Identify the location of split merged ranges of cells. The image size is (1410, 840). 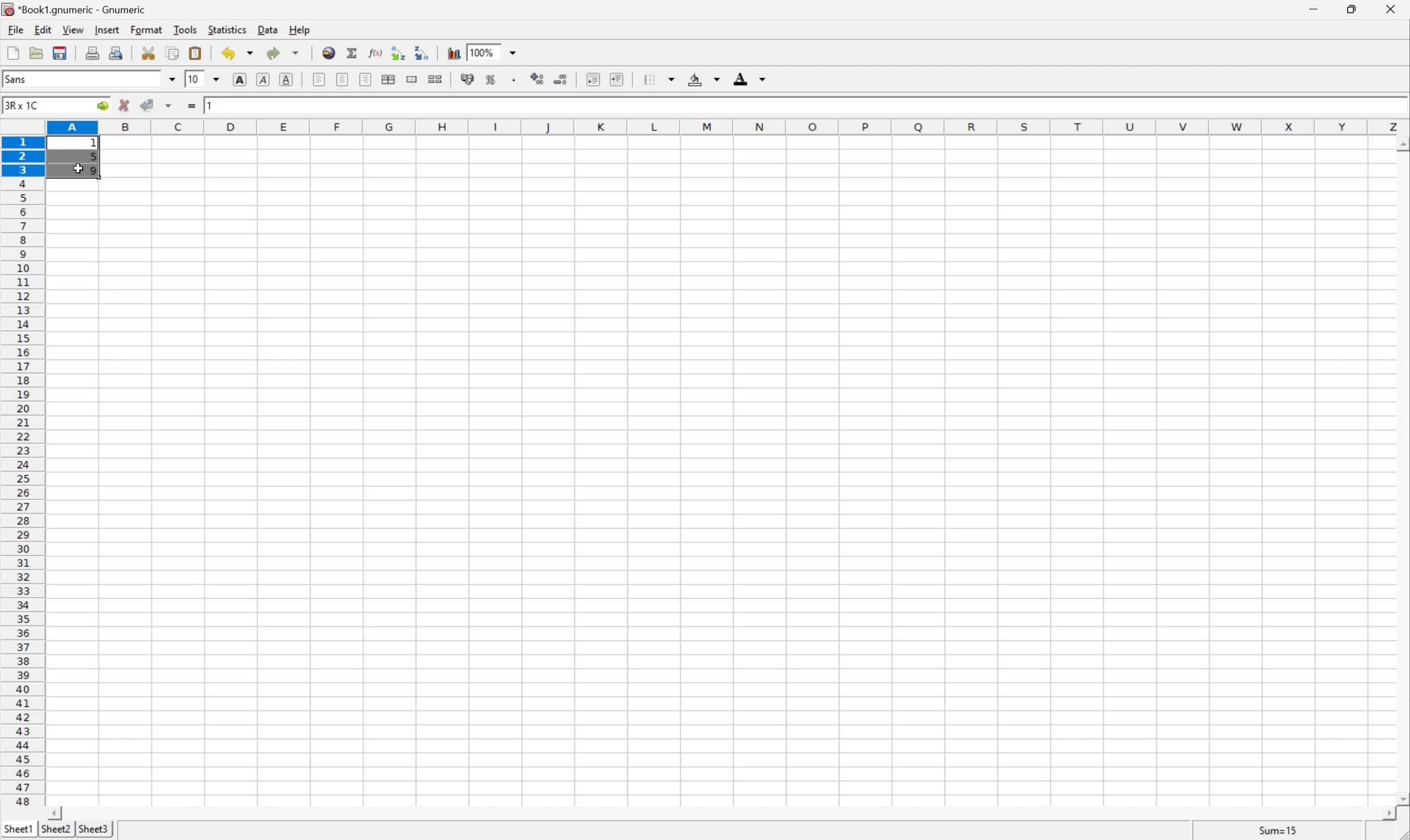
(437, 78).